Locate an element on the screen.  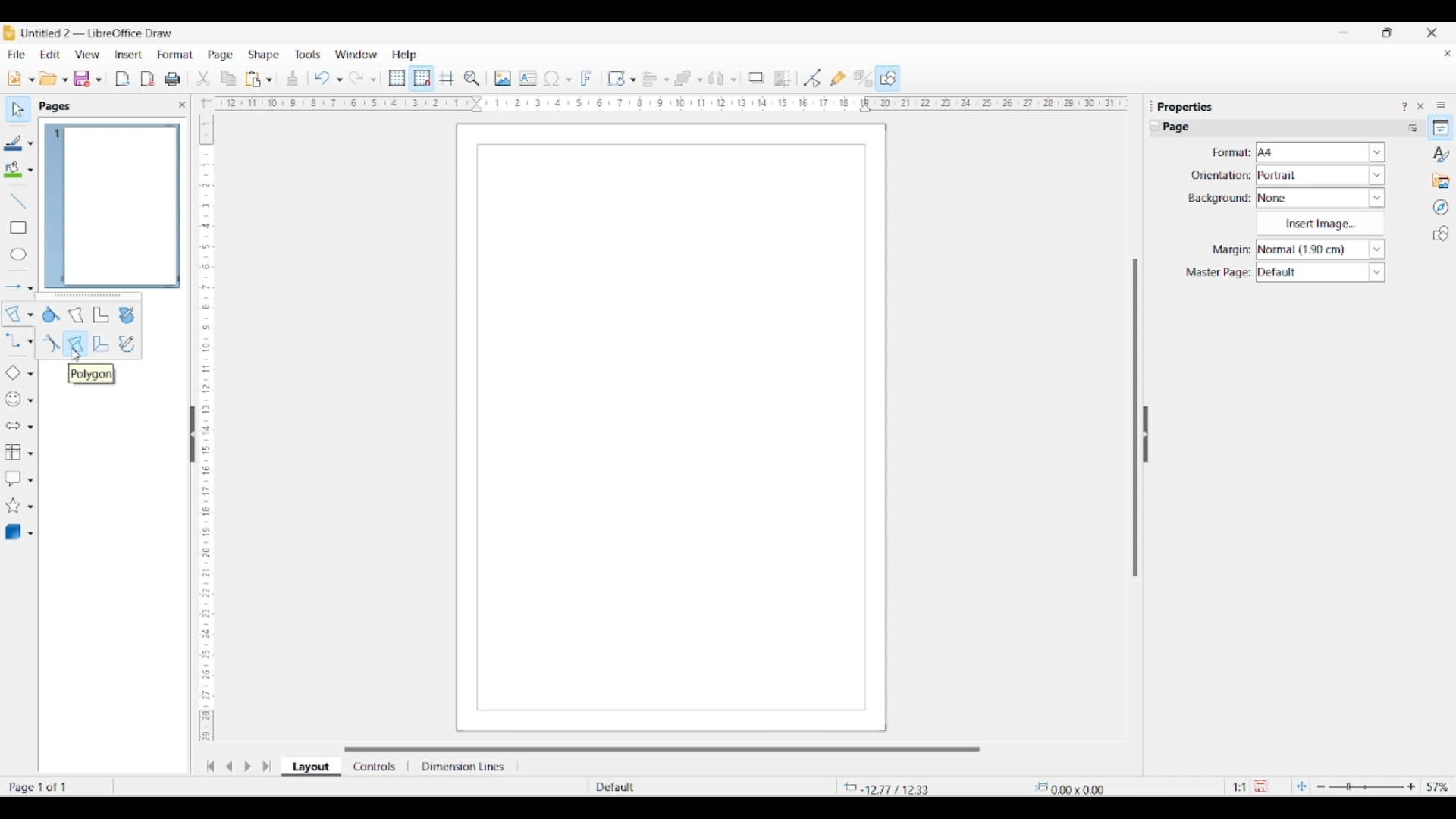
Selected flowchart is located at coordinates (13, 453).